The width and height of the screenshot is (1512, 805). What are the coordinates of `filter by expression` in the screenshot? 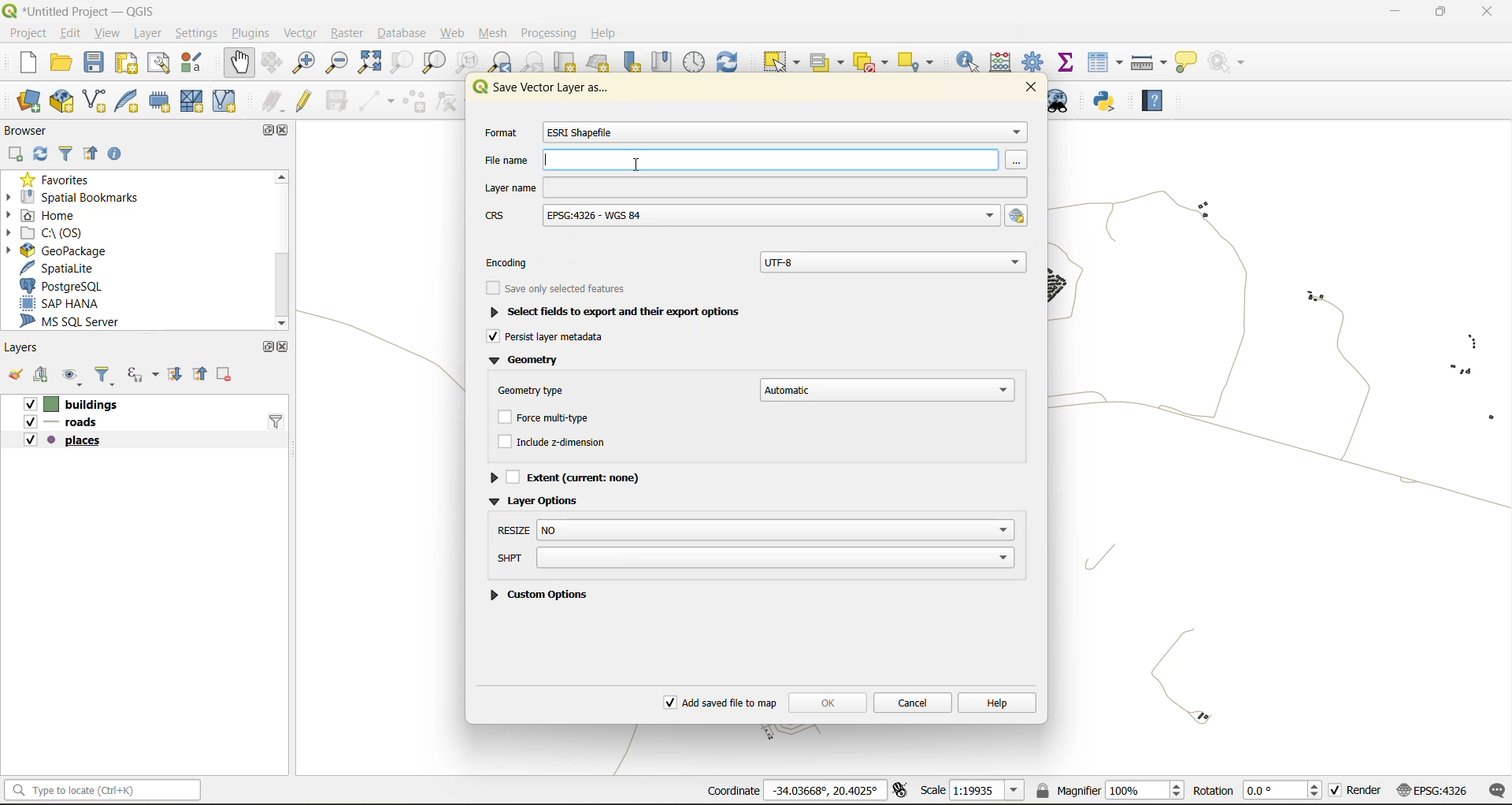 It's located at (141, 376).